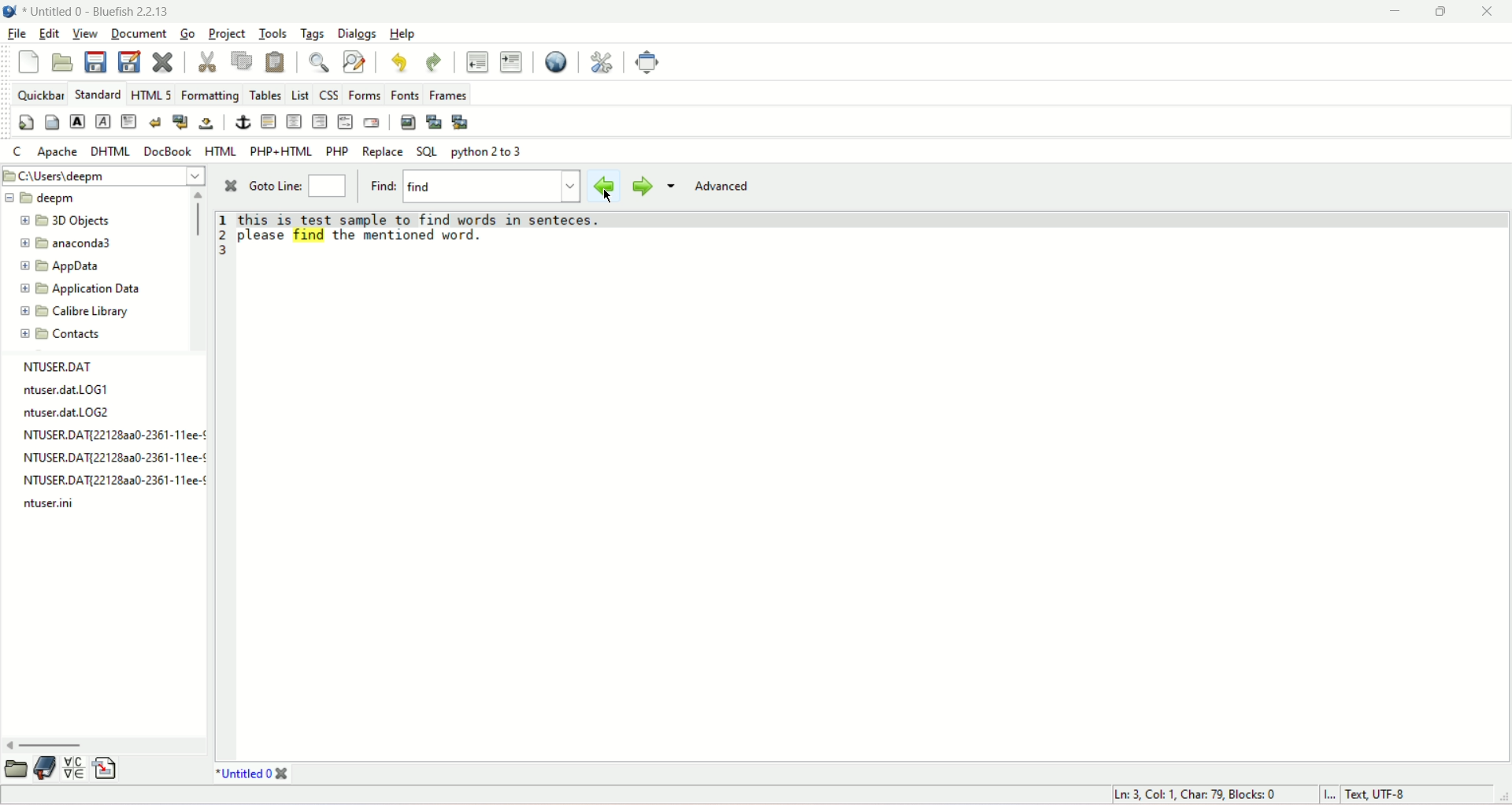 This screenshot has height=805, width=1512. What do you see at coordinates (344, 121) in the screenshot?
I see `HTML comment` at bounding box center [344, 121].